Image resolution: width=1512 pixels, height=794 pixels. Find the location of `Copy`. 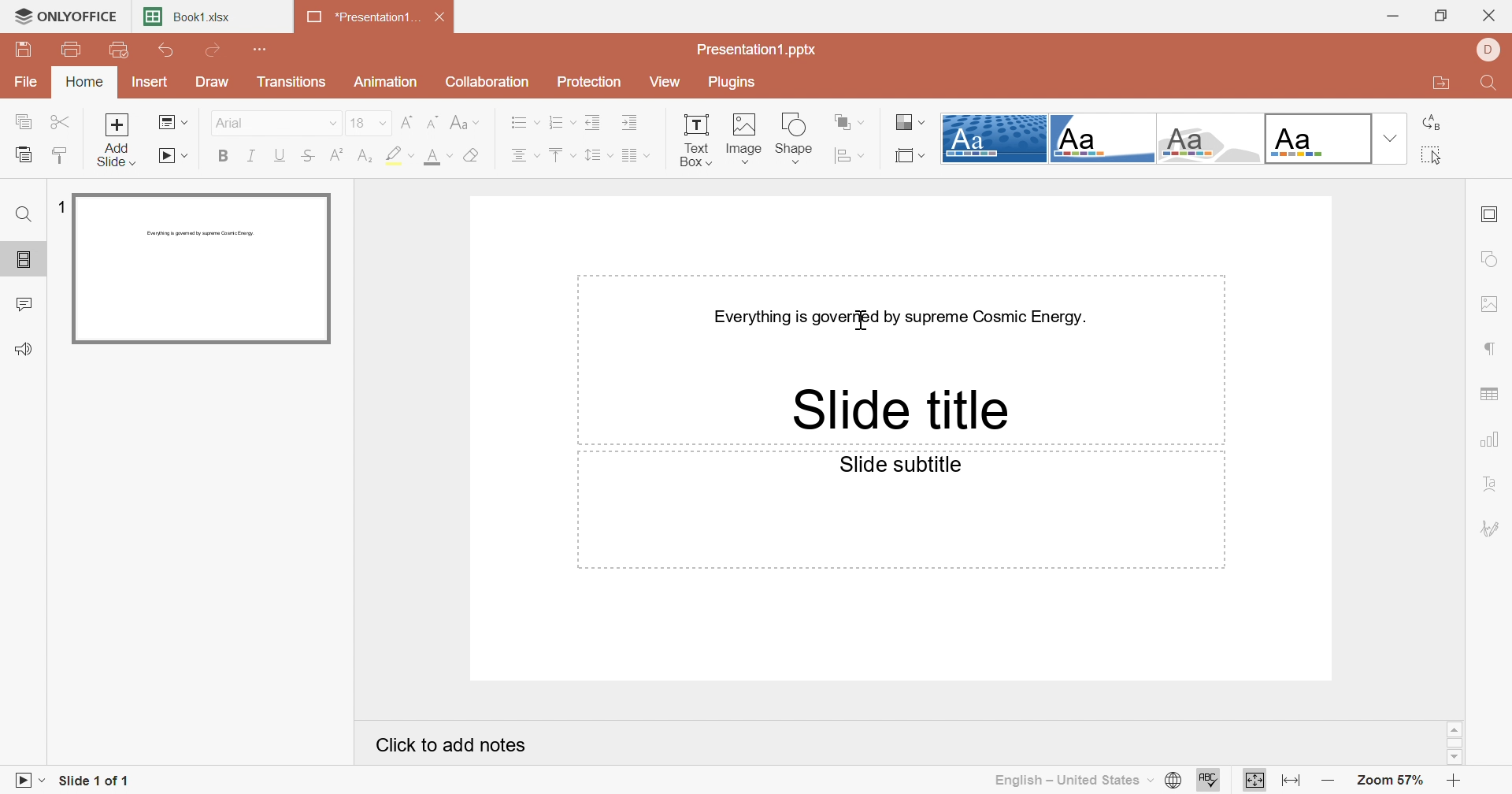

Copy is located at coordinates (22, 120).